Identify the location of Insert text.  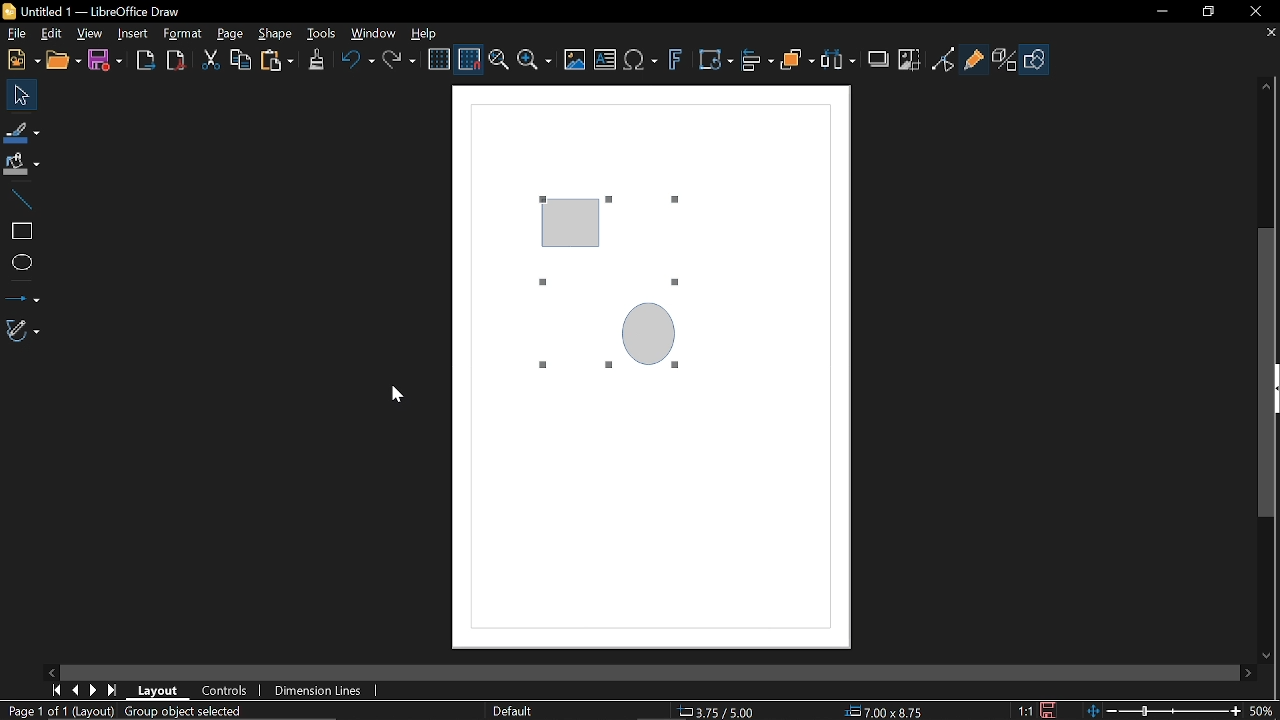
(606, 60).